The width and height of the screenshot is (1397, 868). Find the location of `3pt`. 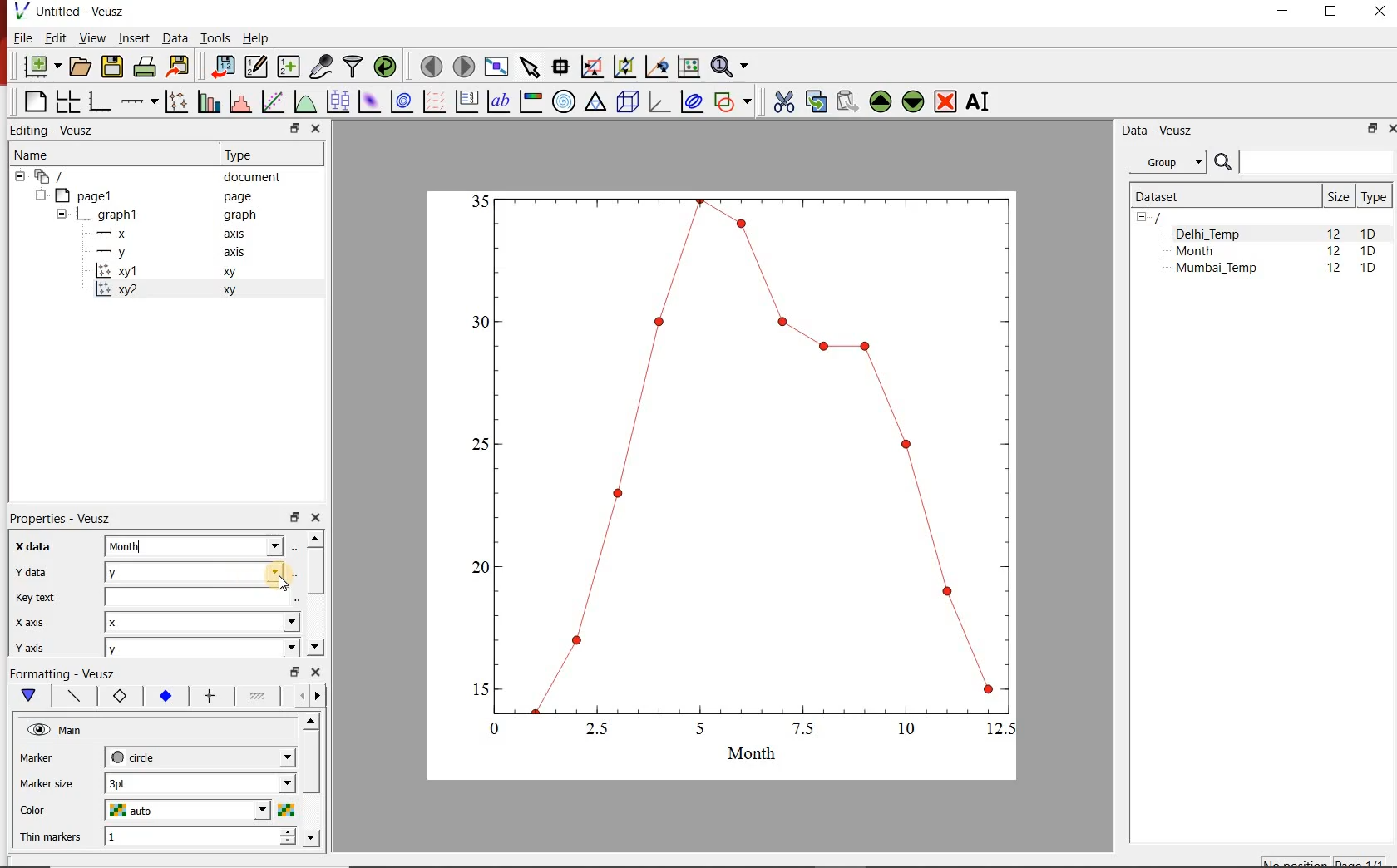

3pt is located at coordinates (200, 783).